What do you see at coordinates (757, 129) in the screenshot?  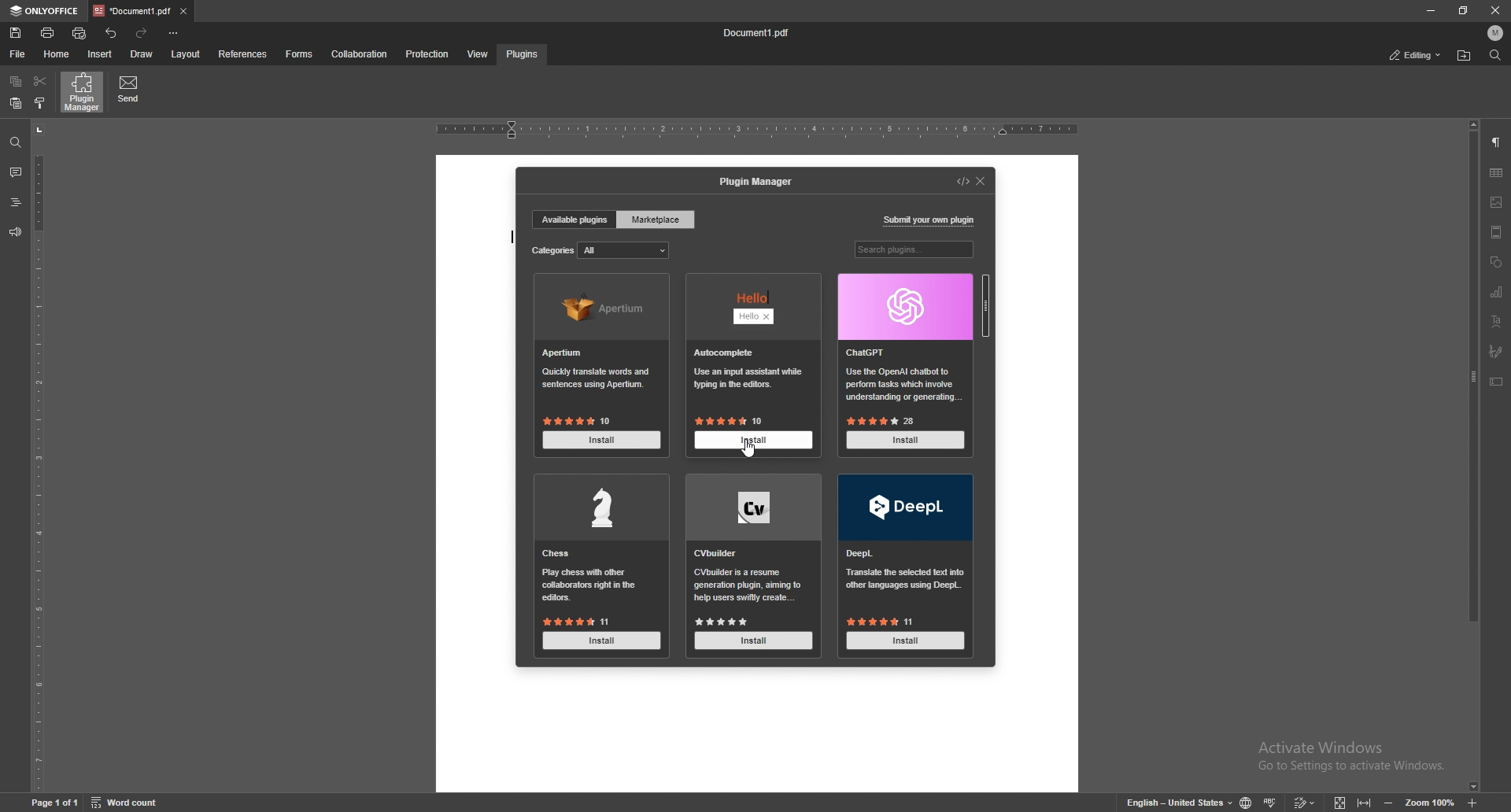 I see `horizontal rule` at bounding box center [757, 129].